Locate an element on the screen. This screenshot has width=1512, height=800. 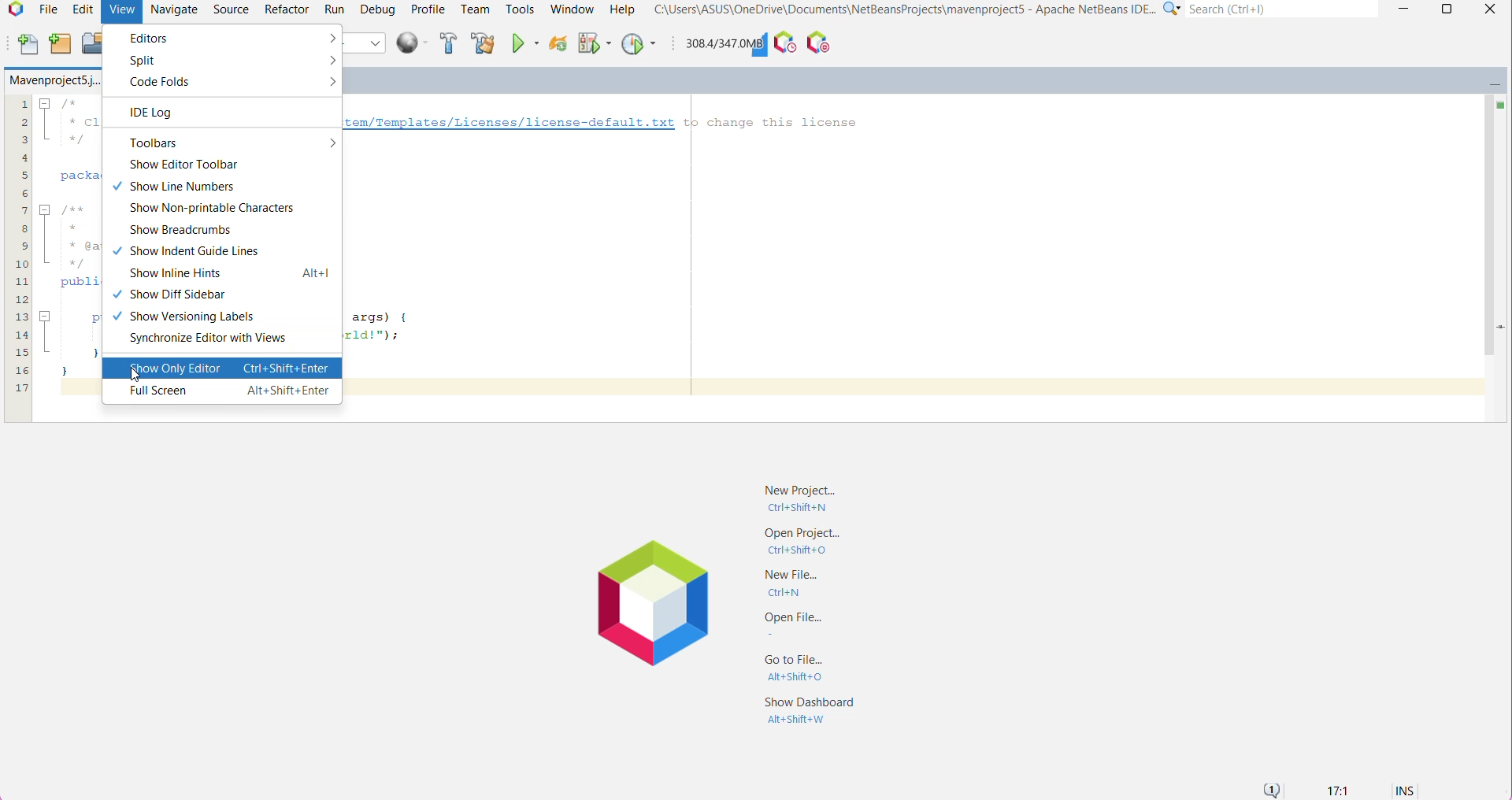
Search(Ctrl+e) is located at coordinates (1284, 9).